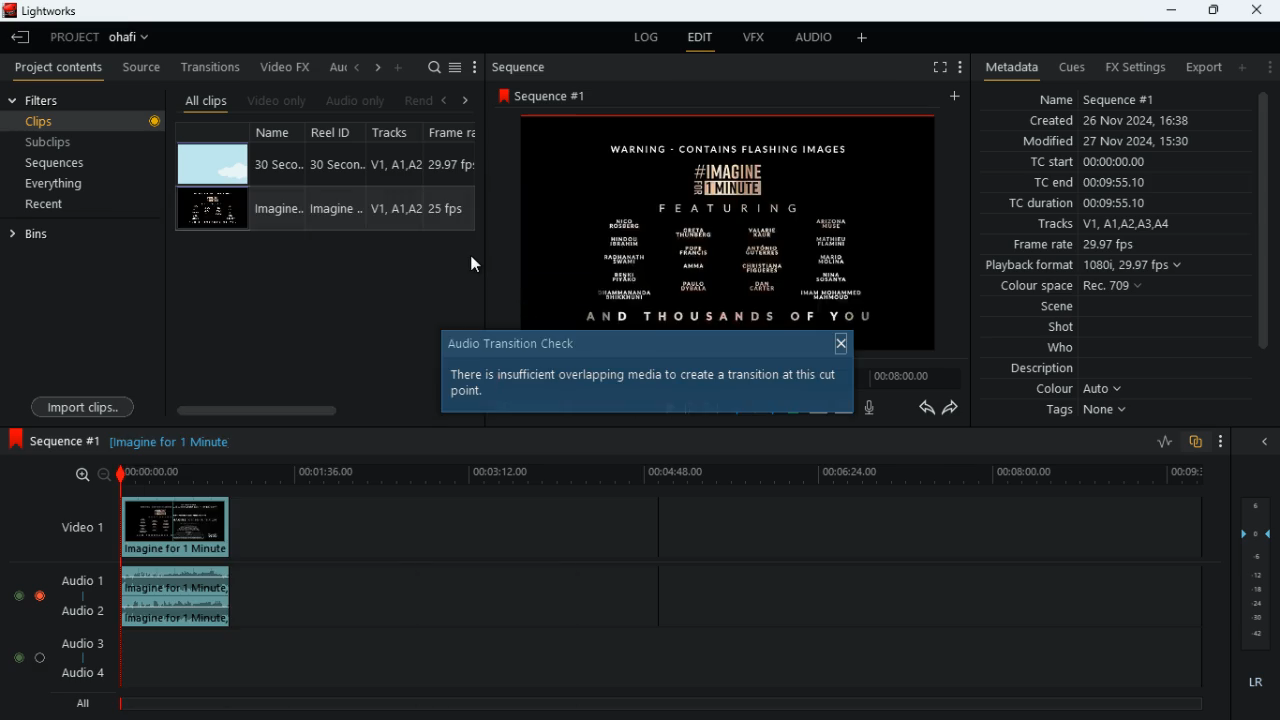 This screenshot has height=720, width=1280. I want to click on timeline, so click(668, 476).